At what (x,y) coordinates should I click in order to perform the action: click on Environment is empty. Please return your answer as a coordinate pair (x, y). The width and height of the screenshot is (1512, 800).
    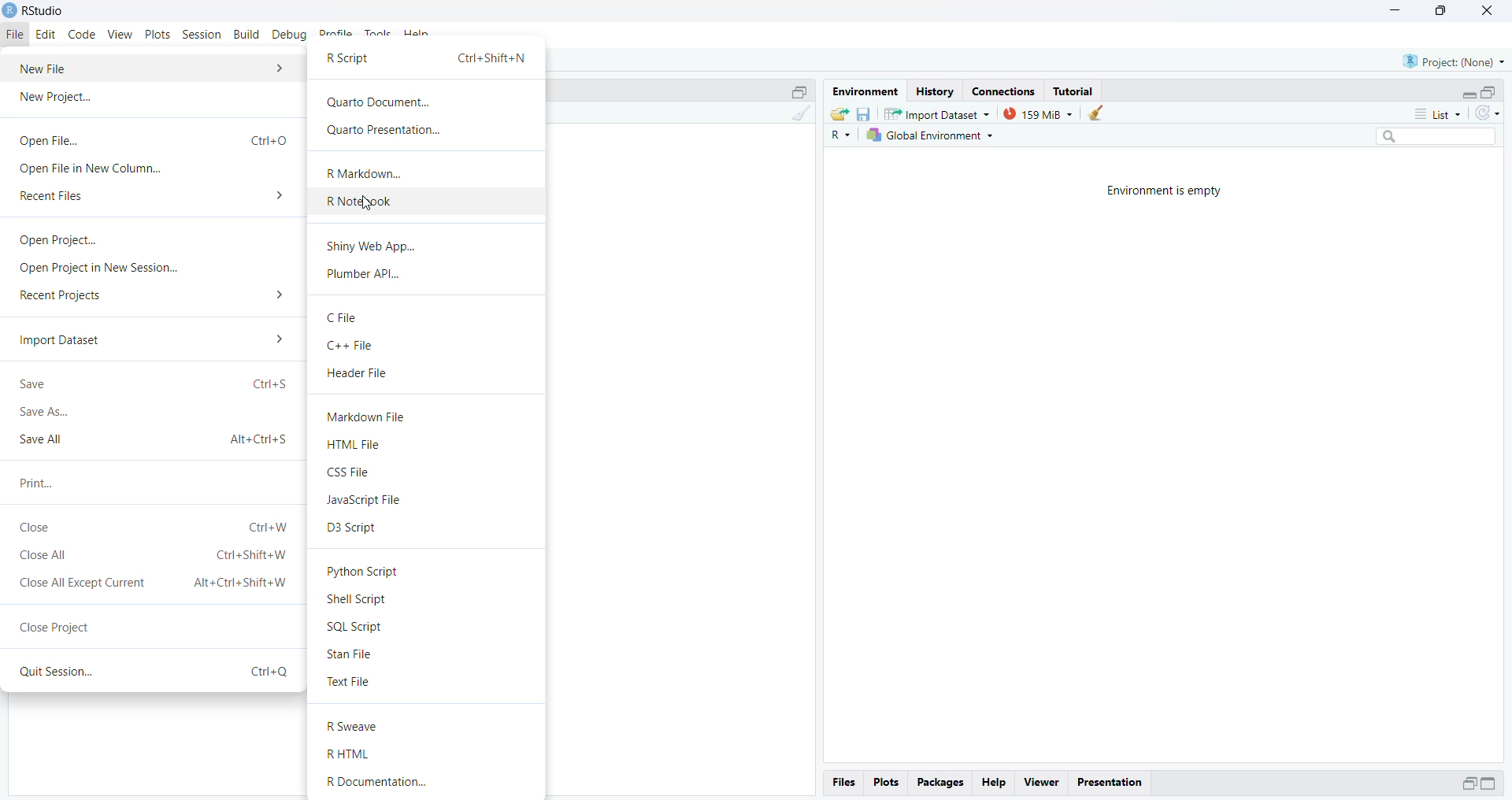
    Looking at the image, I should click on (1169, 191).